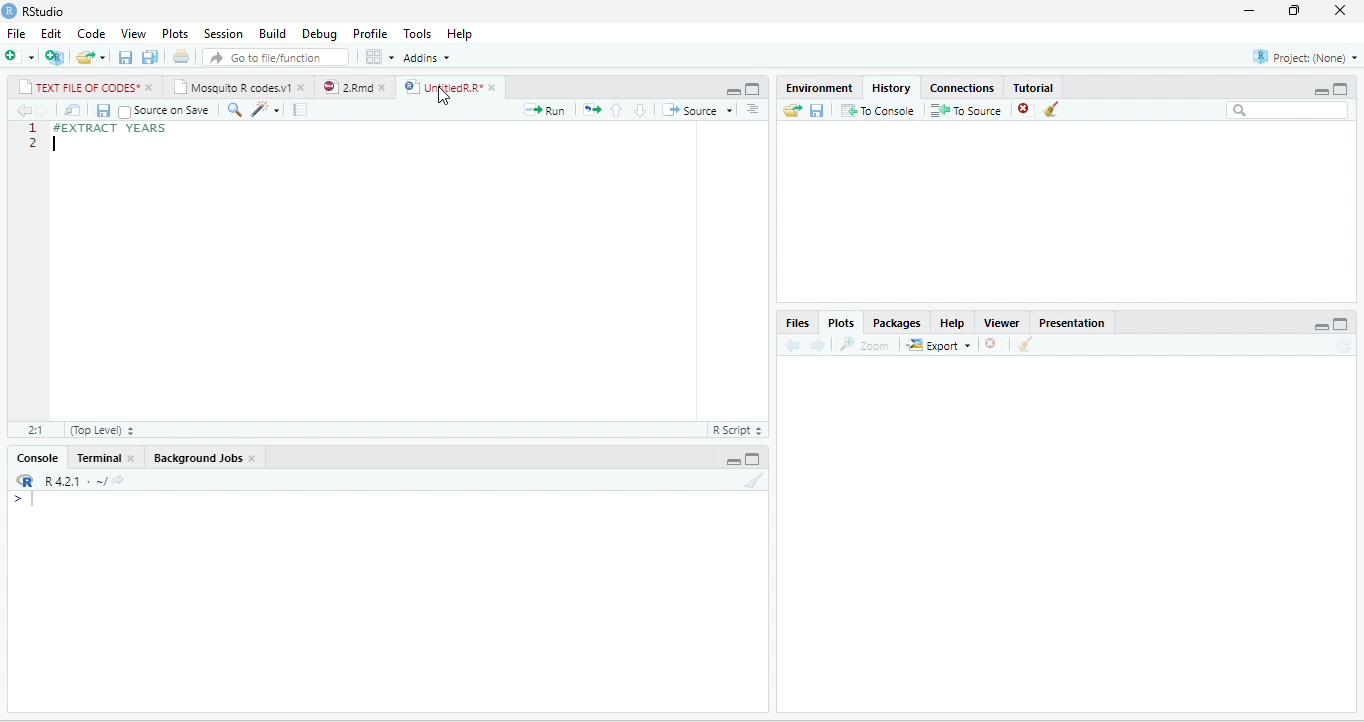 The width and height of the screenshot is (1364, 722). Describe the element at coordinates (753, 89) in the screenshot. I see `maximize` at that location.